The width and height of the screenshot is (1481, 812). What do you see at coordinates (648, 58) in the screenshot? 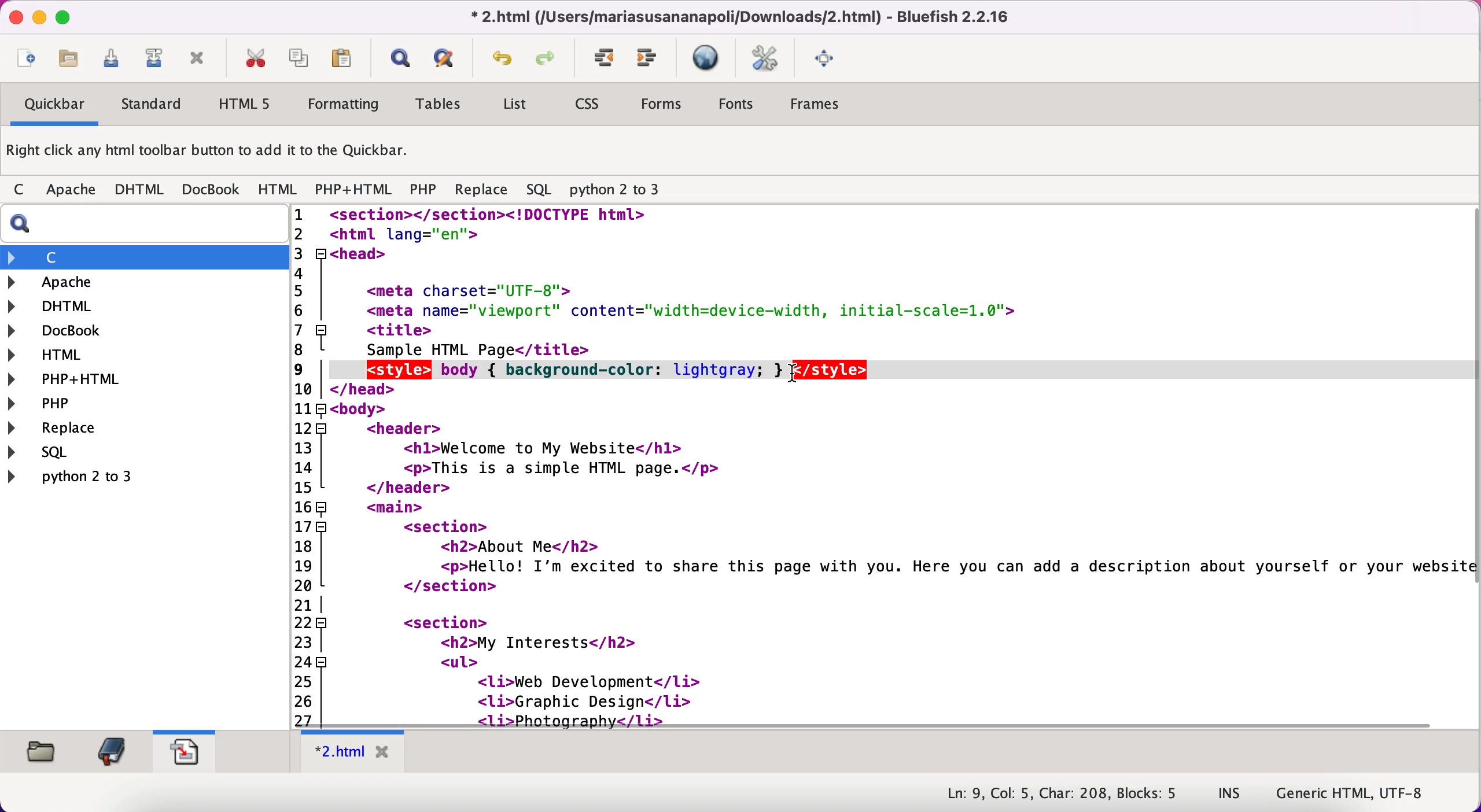
I see `unindent` at bounding box center [648, 58].